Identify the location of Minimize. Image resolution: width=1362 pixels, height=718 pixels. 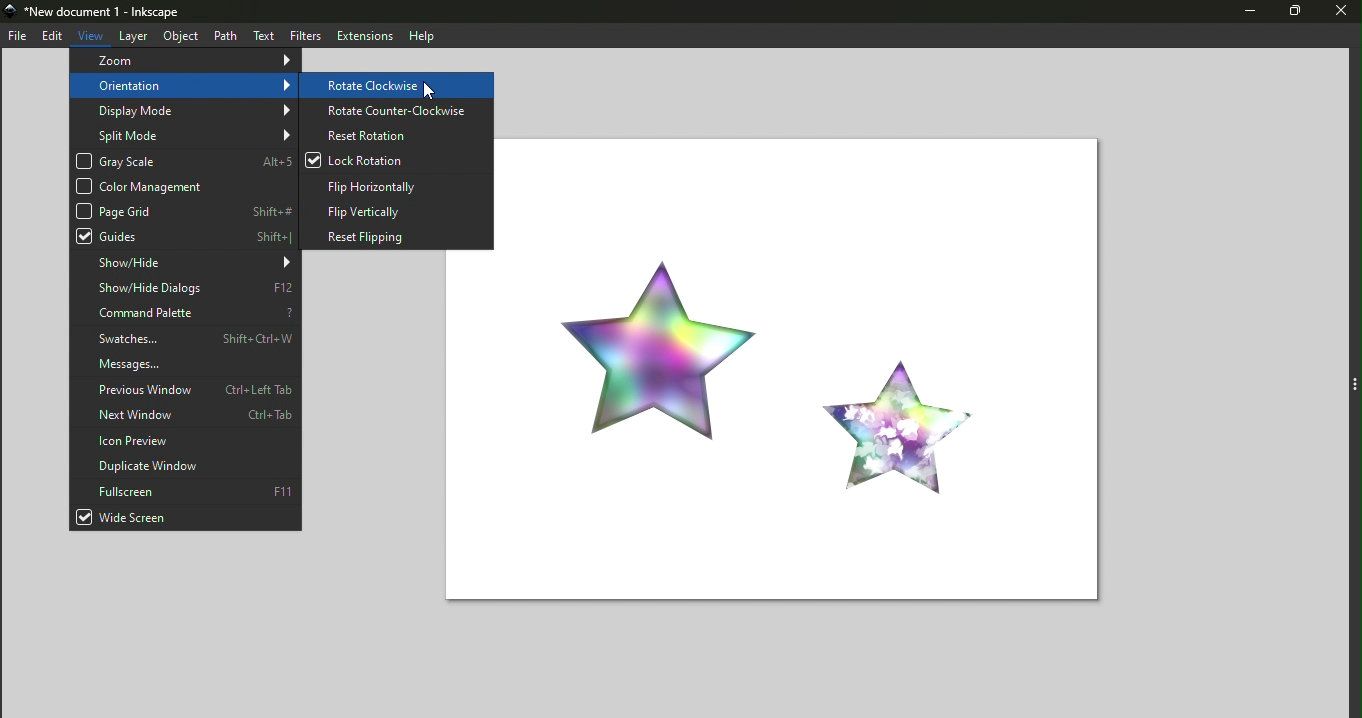
(1241, 13).